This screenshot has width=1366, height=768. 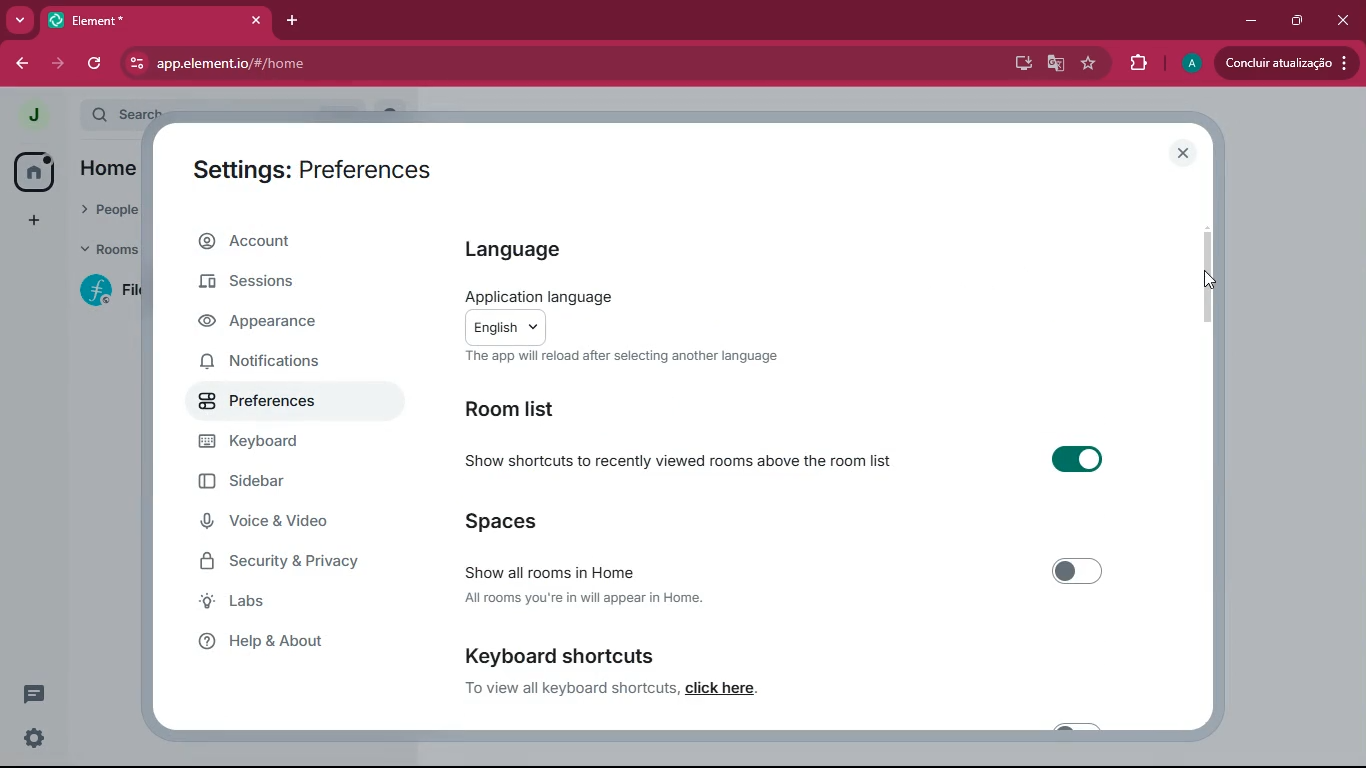 I want to click on english, so click(x=505, y=327).